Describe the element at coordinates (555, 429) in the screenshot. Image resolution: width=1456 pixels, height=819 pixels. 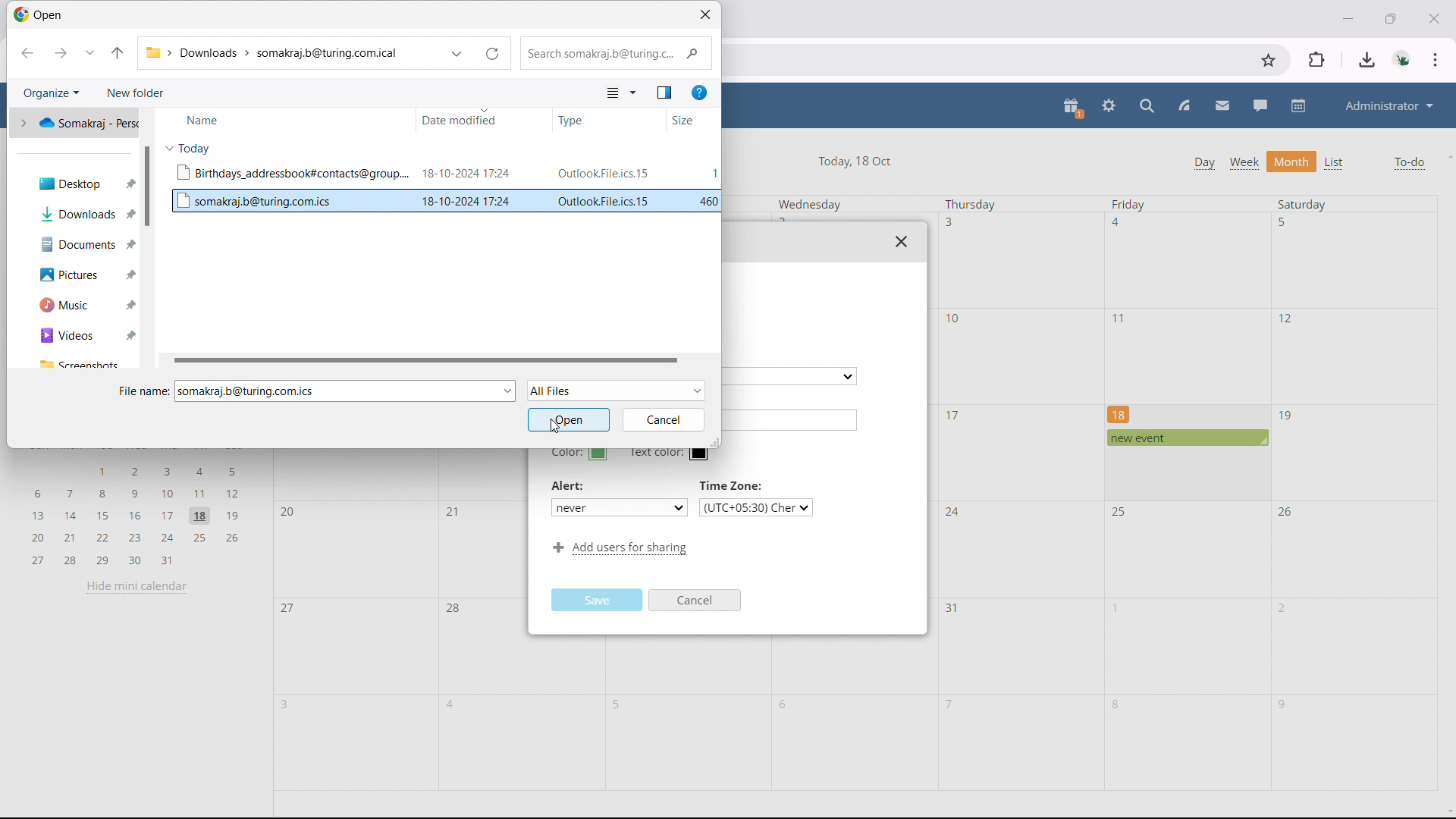
I see `Cursor` at that location.